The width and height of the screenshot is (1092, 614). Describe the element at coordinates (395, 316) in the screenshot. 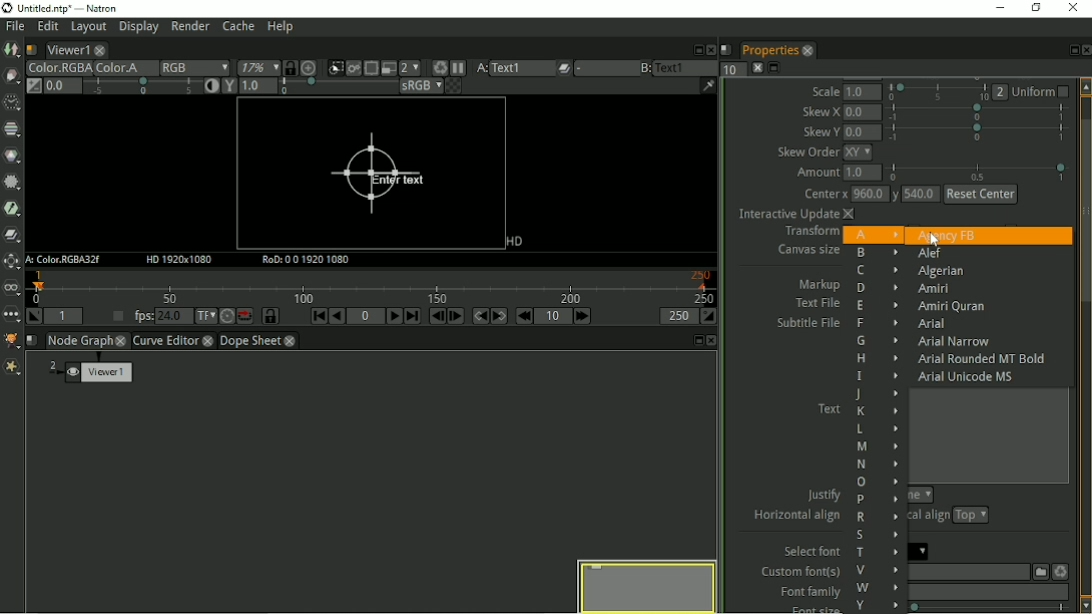

I see `Play forward` at that location.